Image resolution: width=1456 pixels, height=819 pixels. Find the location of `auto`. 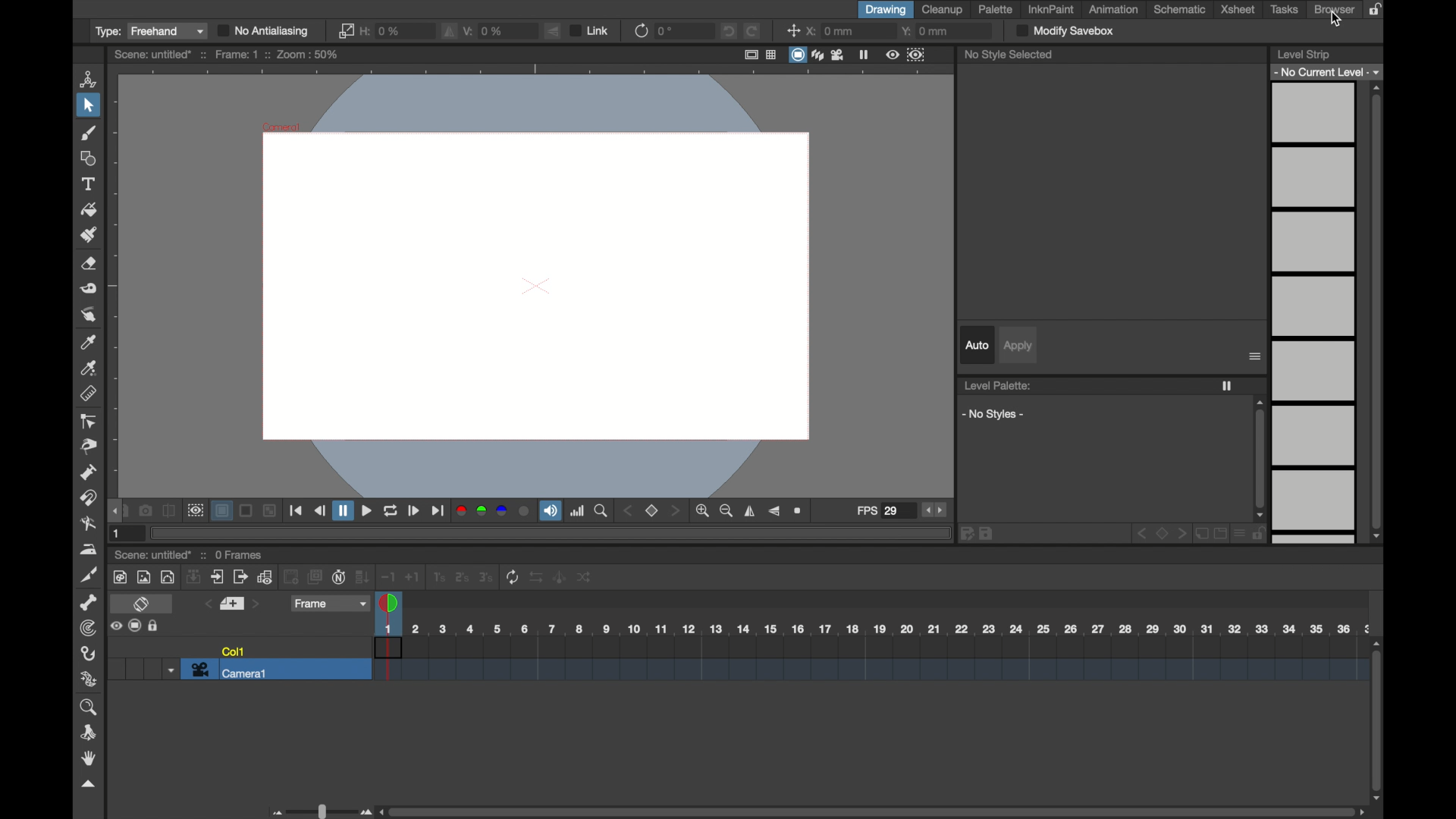

auto is located at coordinates (975, 345).